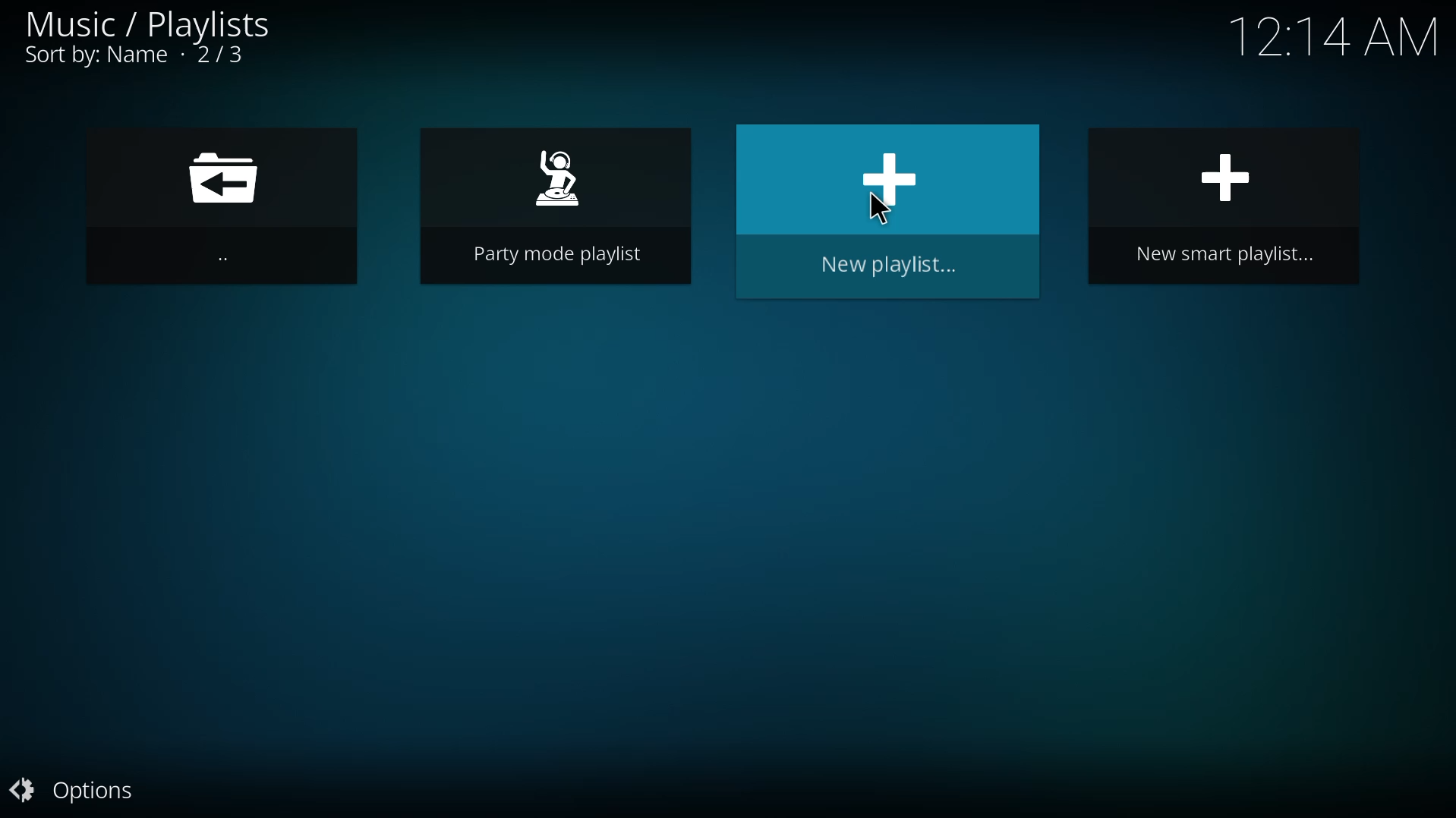 Image resolution: width=1456 pixels, height=818 pixels. What do you see at coordinates (876, 212) in the screenshot?
I see `new playlist` at bounding box center [876, 212].